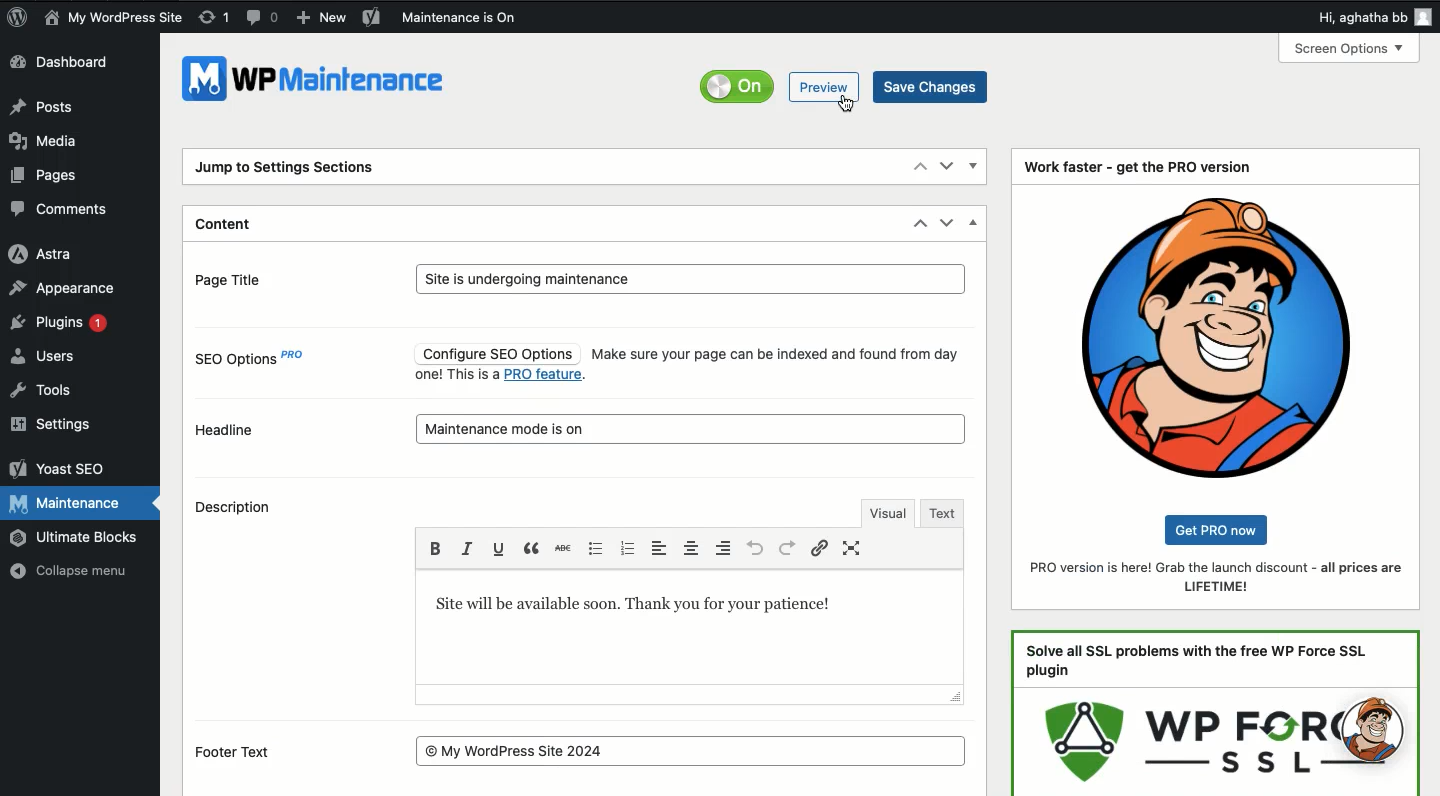  Describe the element at coordinates (247, 278) in the screenshot. I see `Page title` at that location.